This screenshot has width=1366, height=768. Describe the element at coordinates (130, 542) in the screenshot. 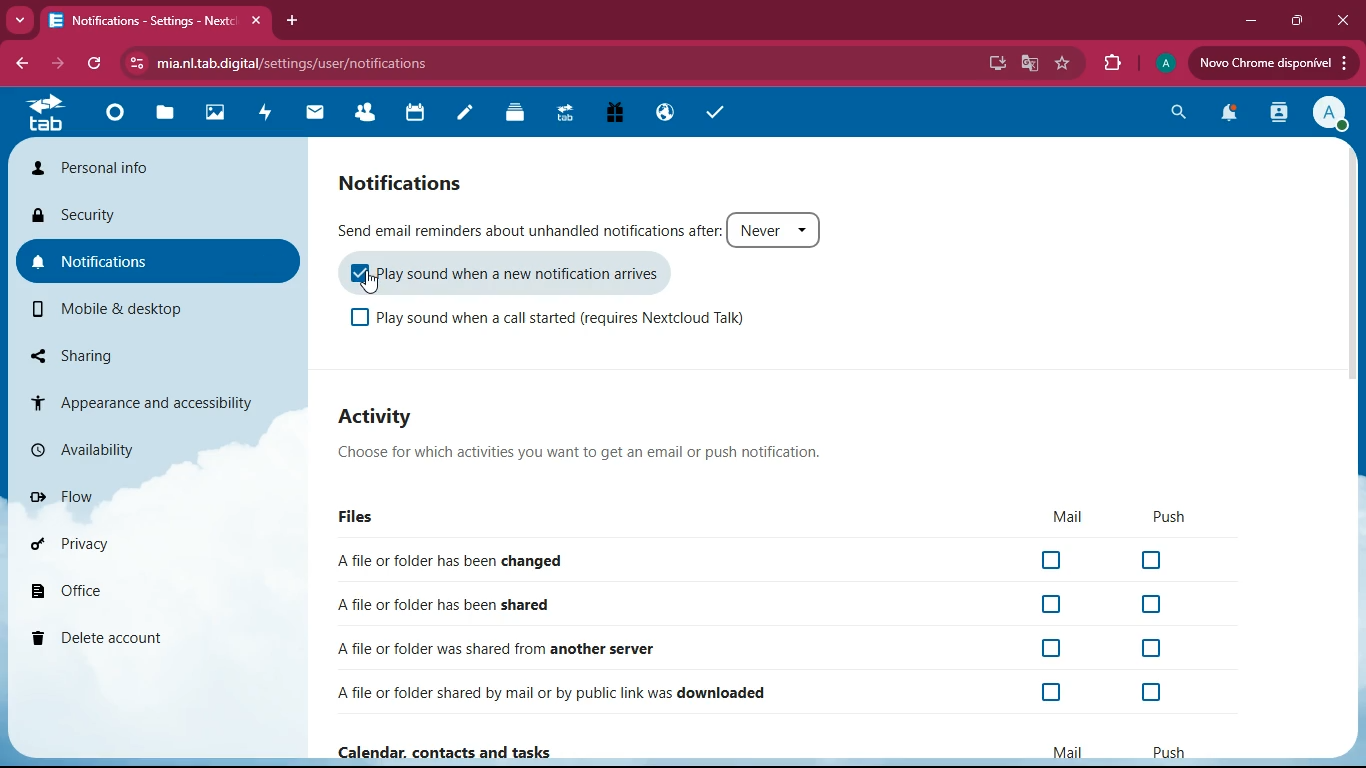

I see `privacy` at that location.